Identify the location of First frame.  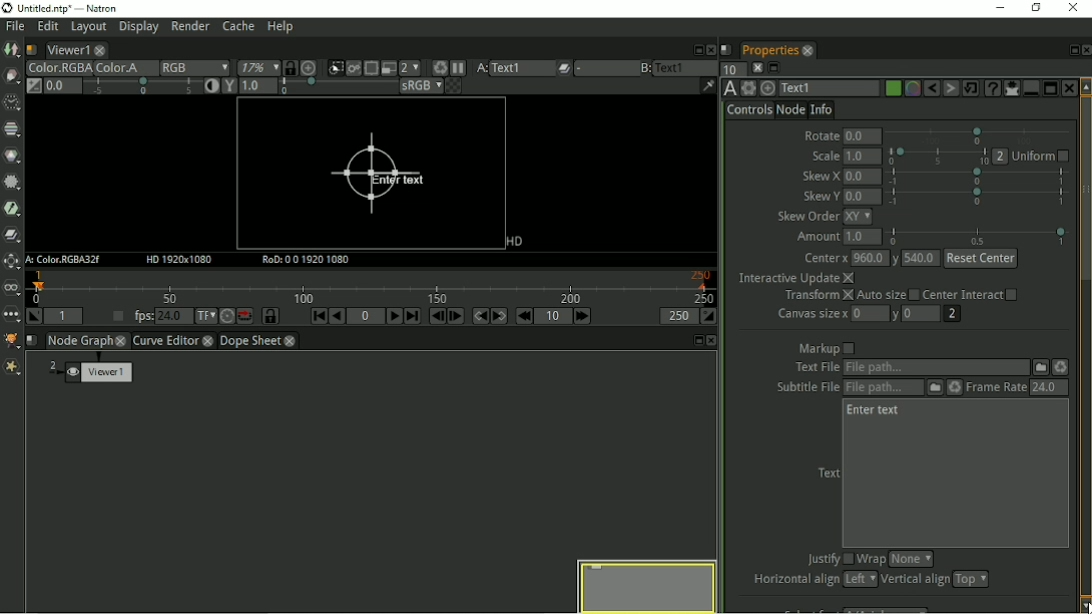
(319, 316).